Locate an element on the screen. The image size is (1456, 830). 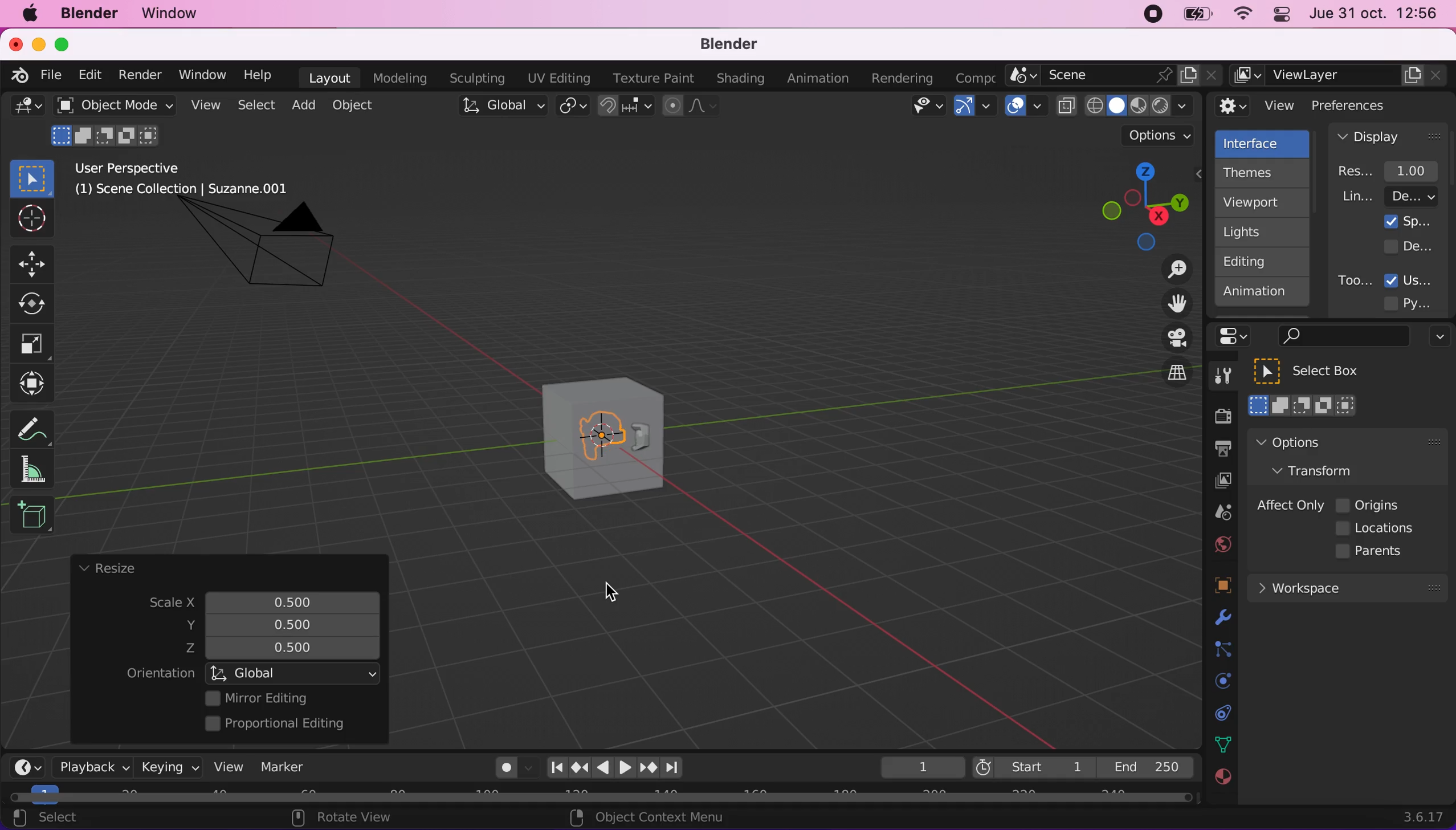
interface is located at coordinates (1264, 142).